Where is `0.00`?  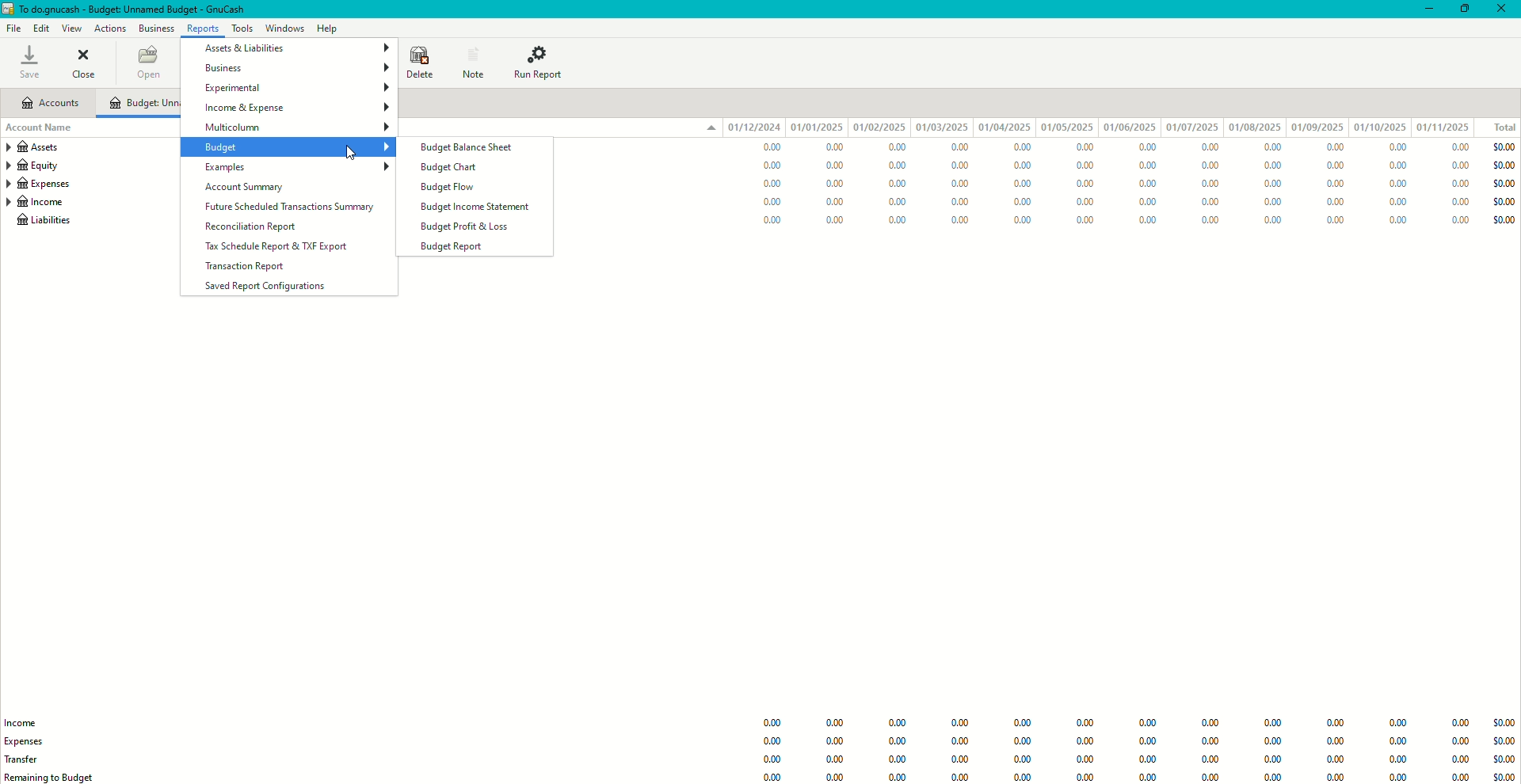 0.00 is located at coordinates (1146, 148).